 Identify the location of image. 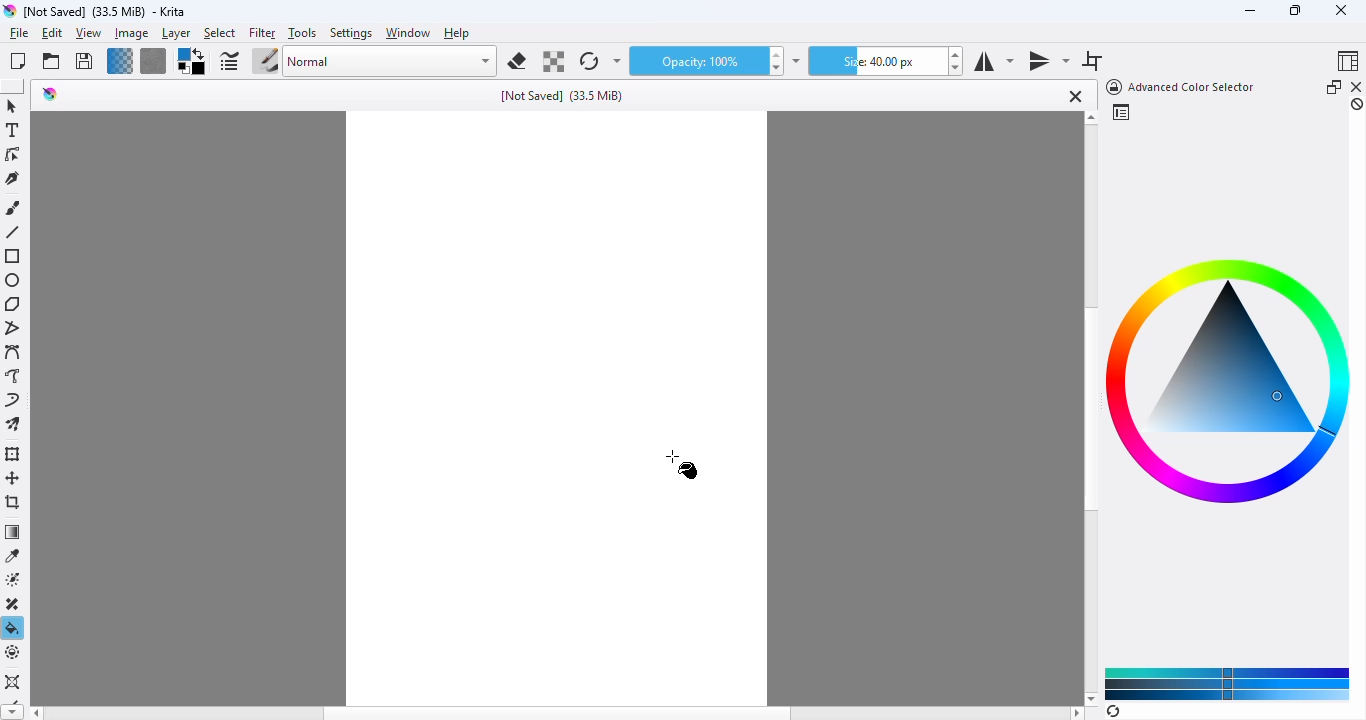
(132, 34).